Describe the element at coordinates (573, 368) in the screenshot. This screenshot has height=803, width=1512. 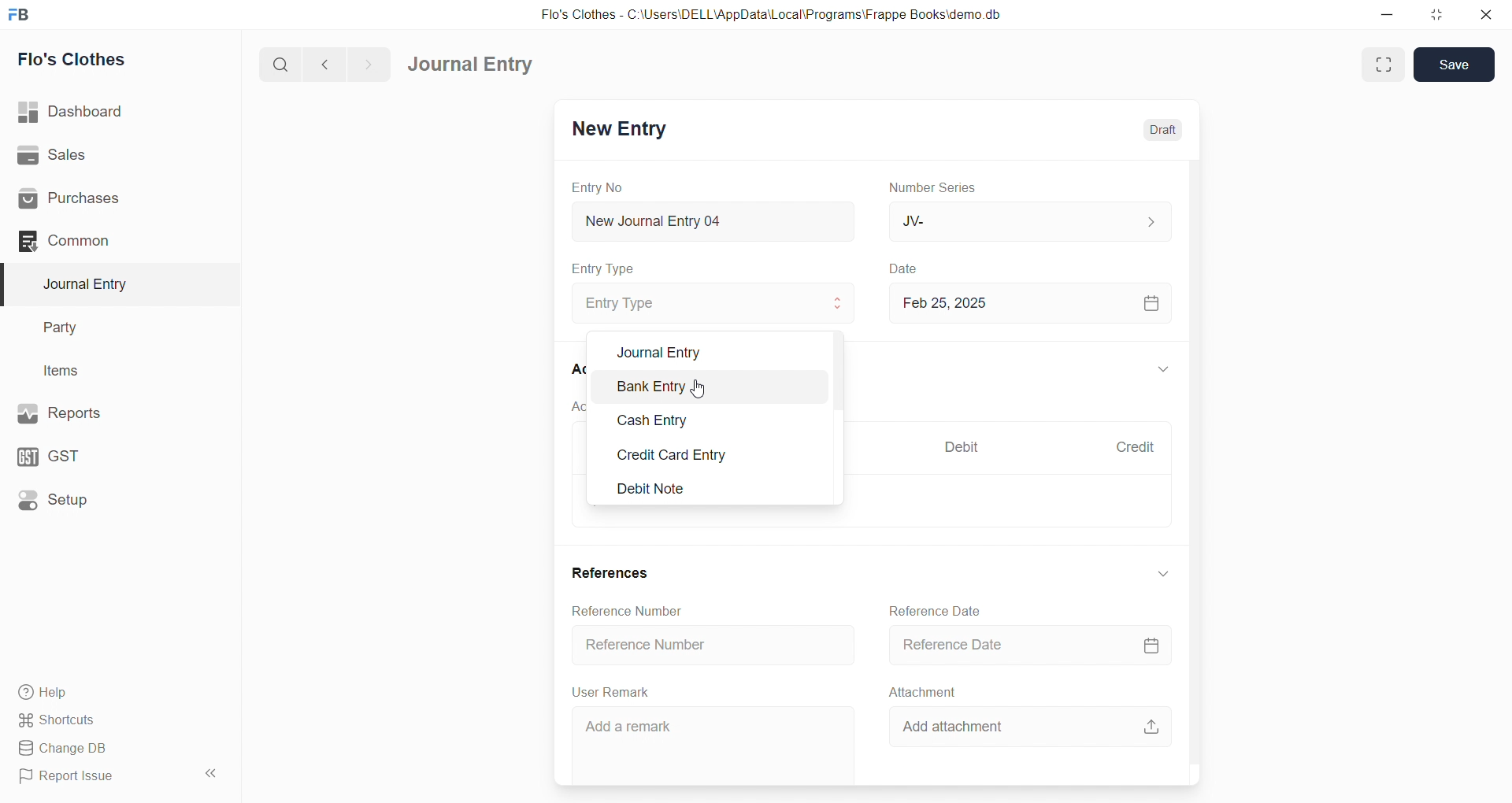
I see `Accounts` at that location.